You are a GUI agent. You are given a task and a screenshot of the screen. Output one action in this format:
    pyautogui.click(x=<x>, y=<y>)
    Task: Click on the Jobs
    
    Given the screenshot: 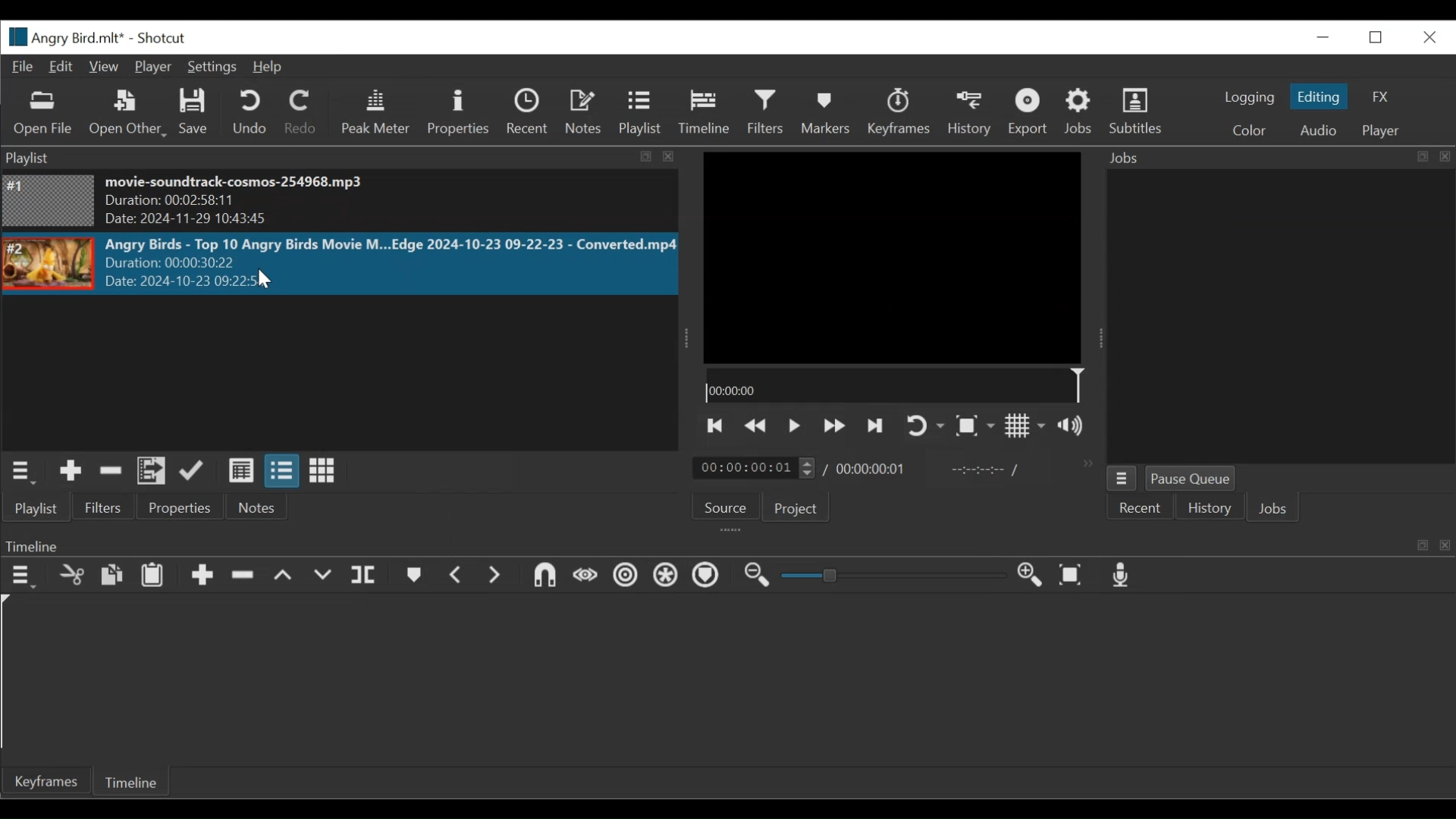 What is the action you would take?
    pyautogui.click(x=1276, y=508)
    